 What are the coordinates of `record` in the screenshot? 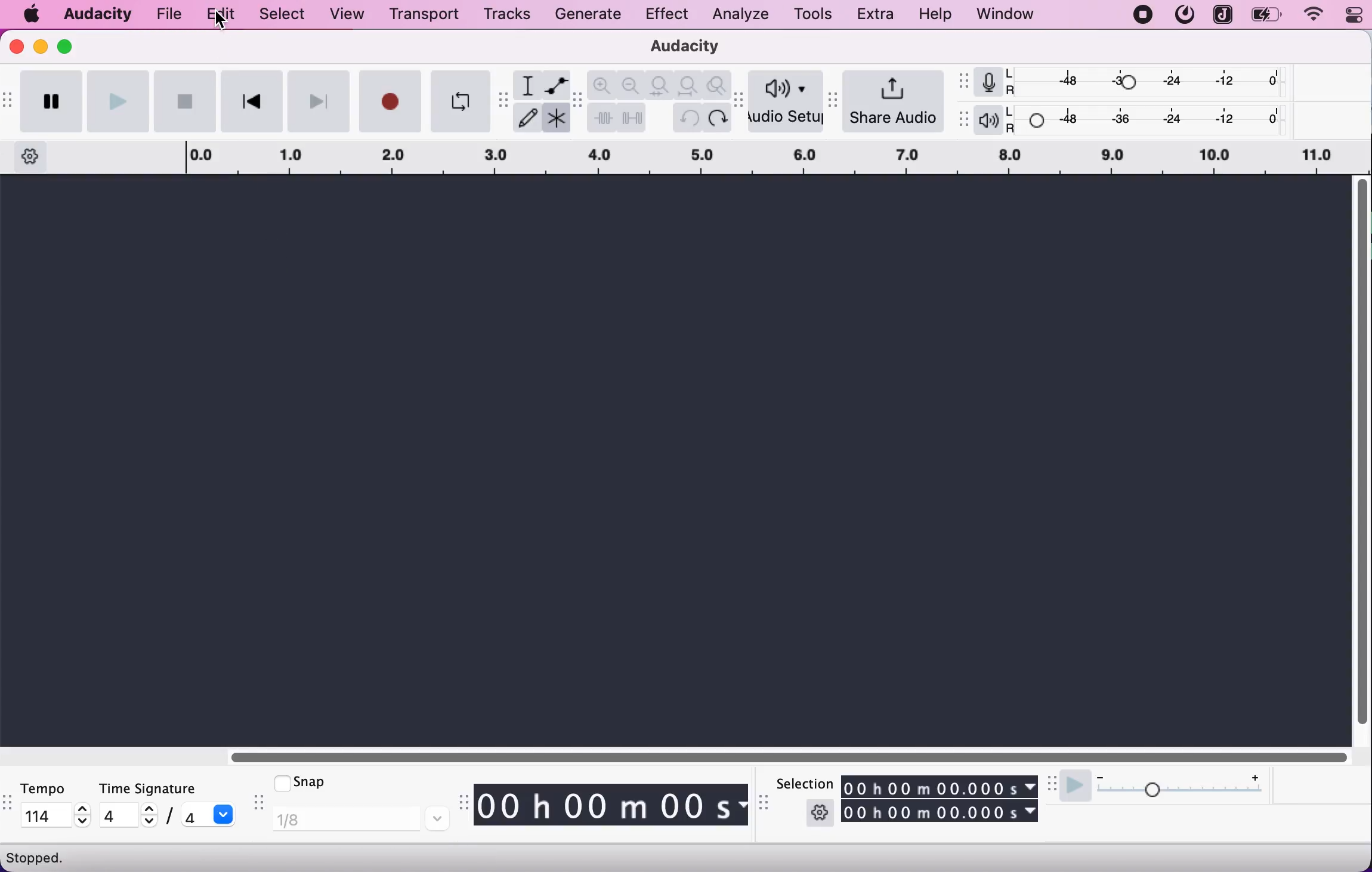 It's located at (390, 101).